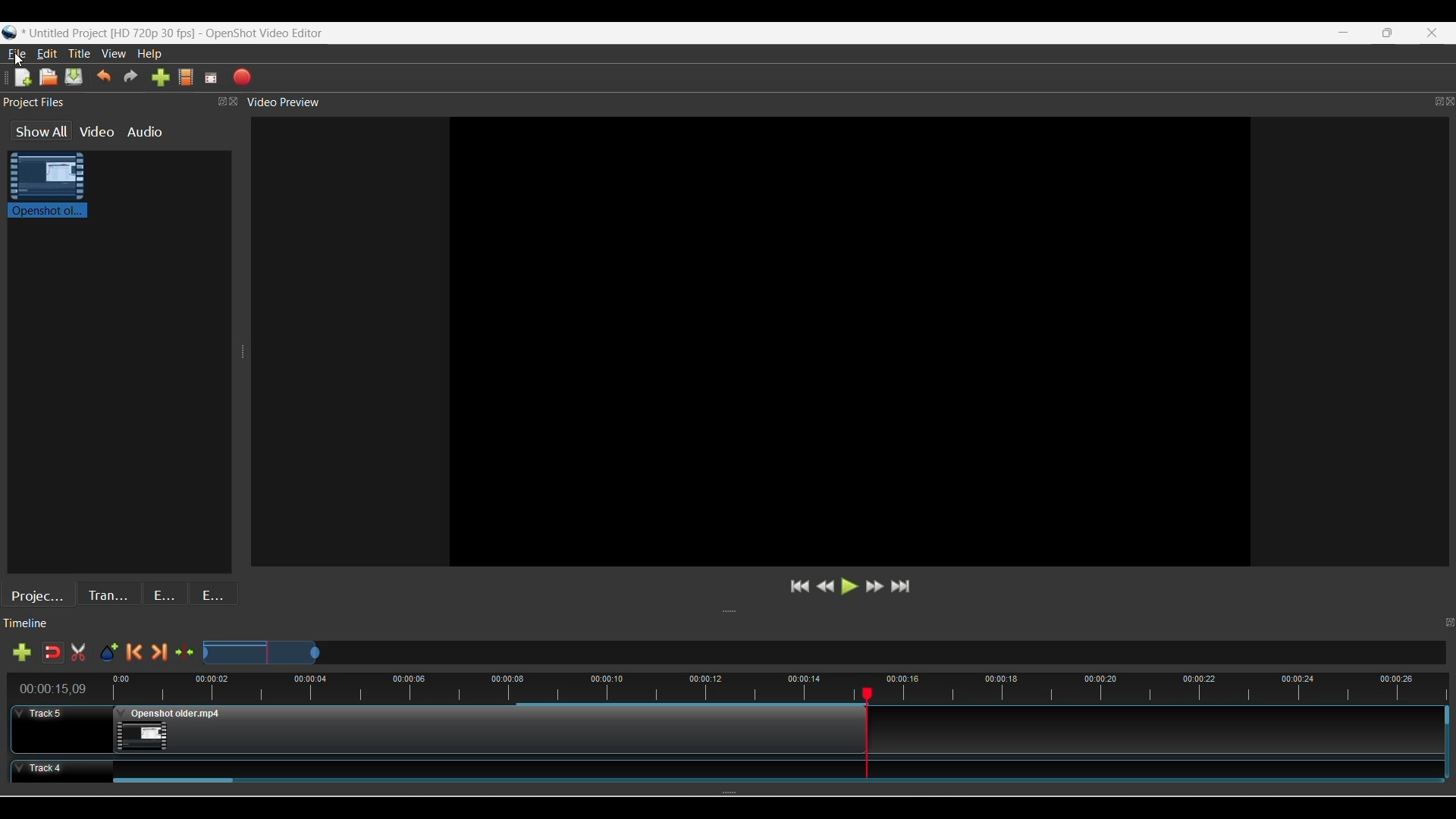 The image size is (1456, 819). Describe the element at coordinates (900, 586) in the screenshot. I see `Jump to end` at that location.